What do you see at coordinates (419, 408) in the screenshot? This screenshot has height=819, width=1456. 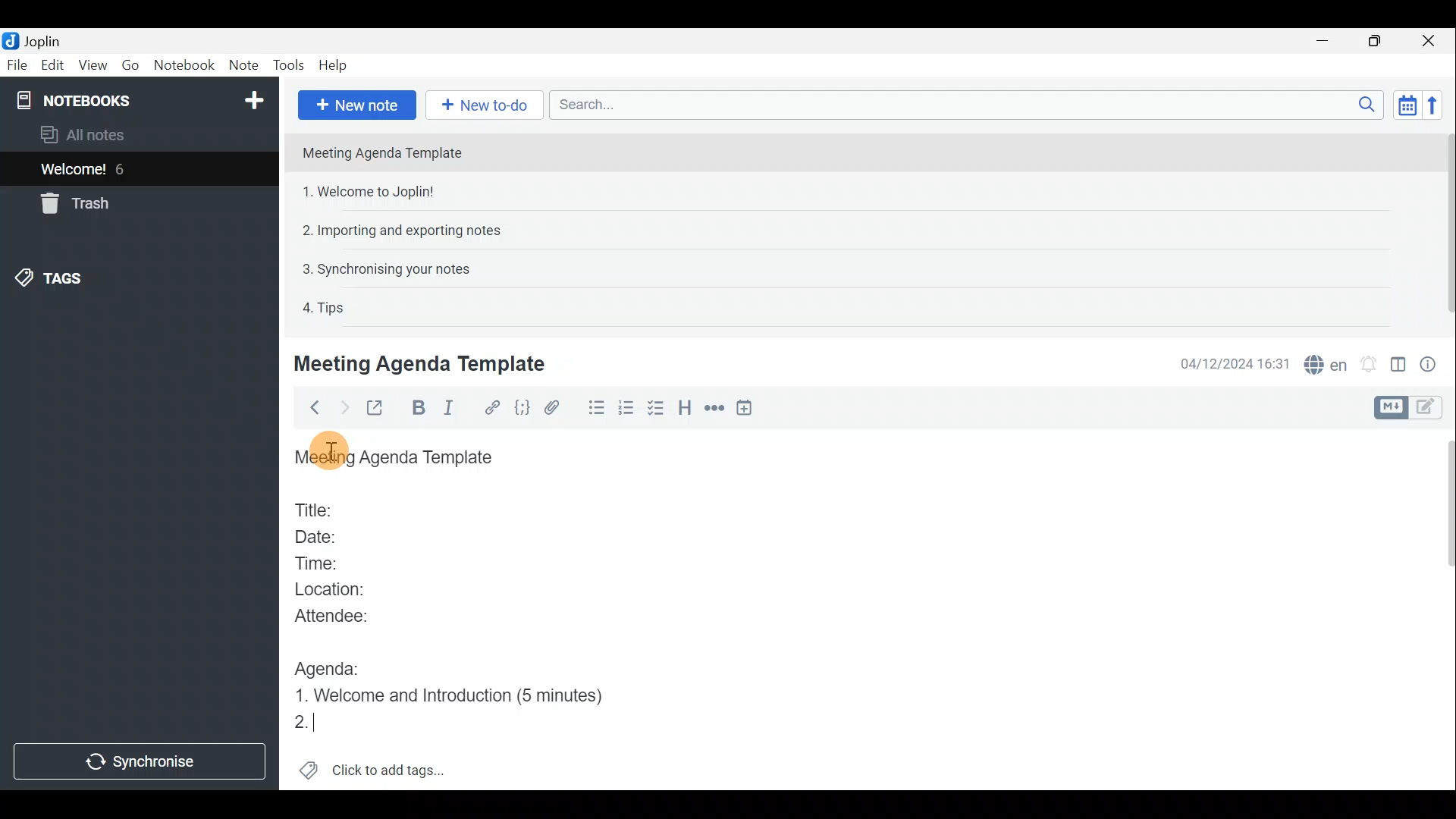 I see `Bold` at bounding box center [419, 408].